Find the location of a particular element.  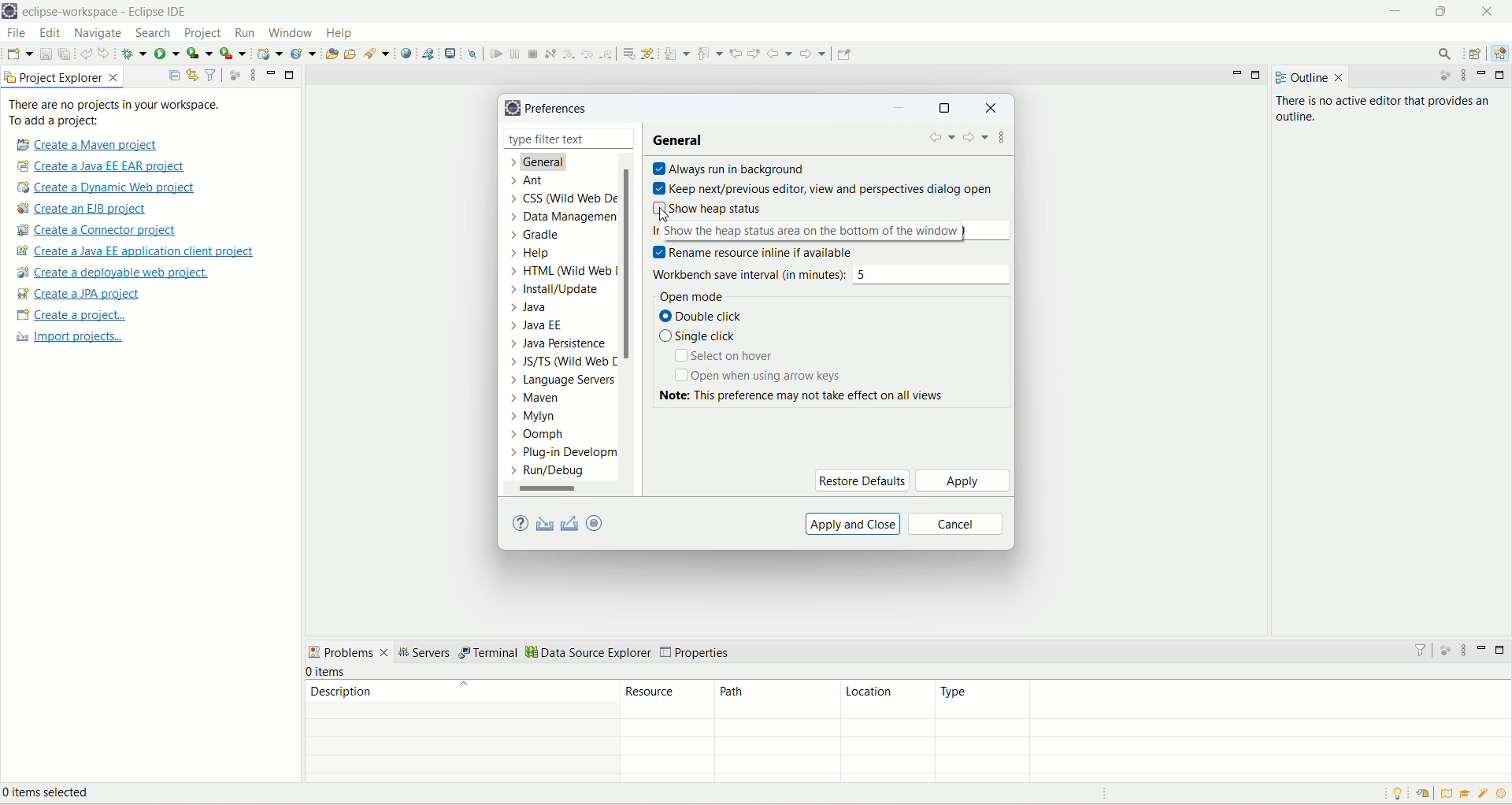

focus on active task is located at coordinates (1439, 77).